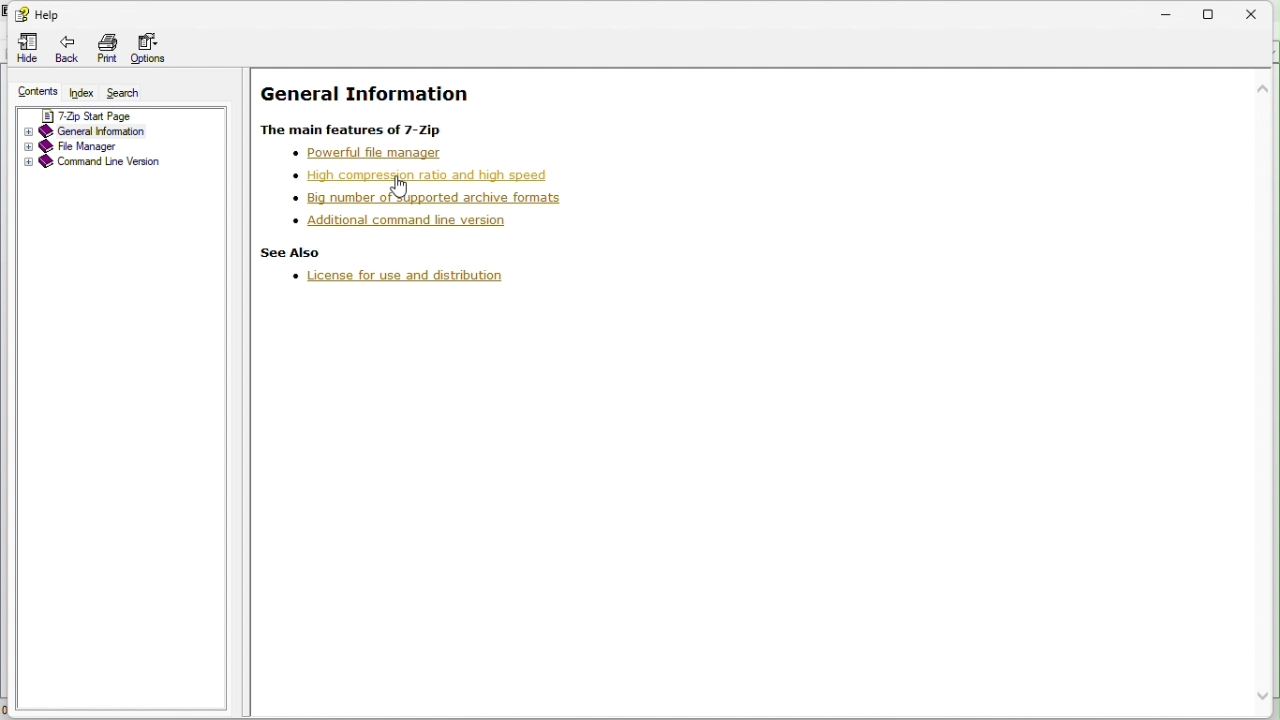 Image resolution: width=1280 pixels, height=720 pixels. What do you see at coordinates (371, 92) in the screenshot?
I see `` at bounding box center [371, 92].